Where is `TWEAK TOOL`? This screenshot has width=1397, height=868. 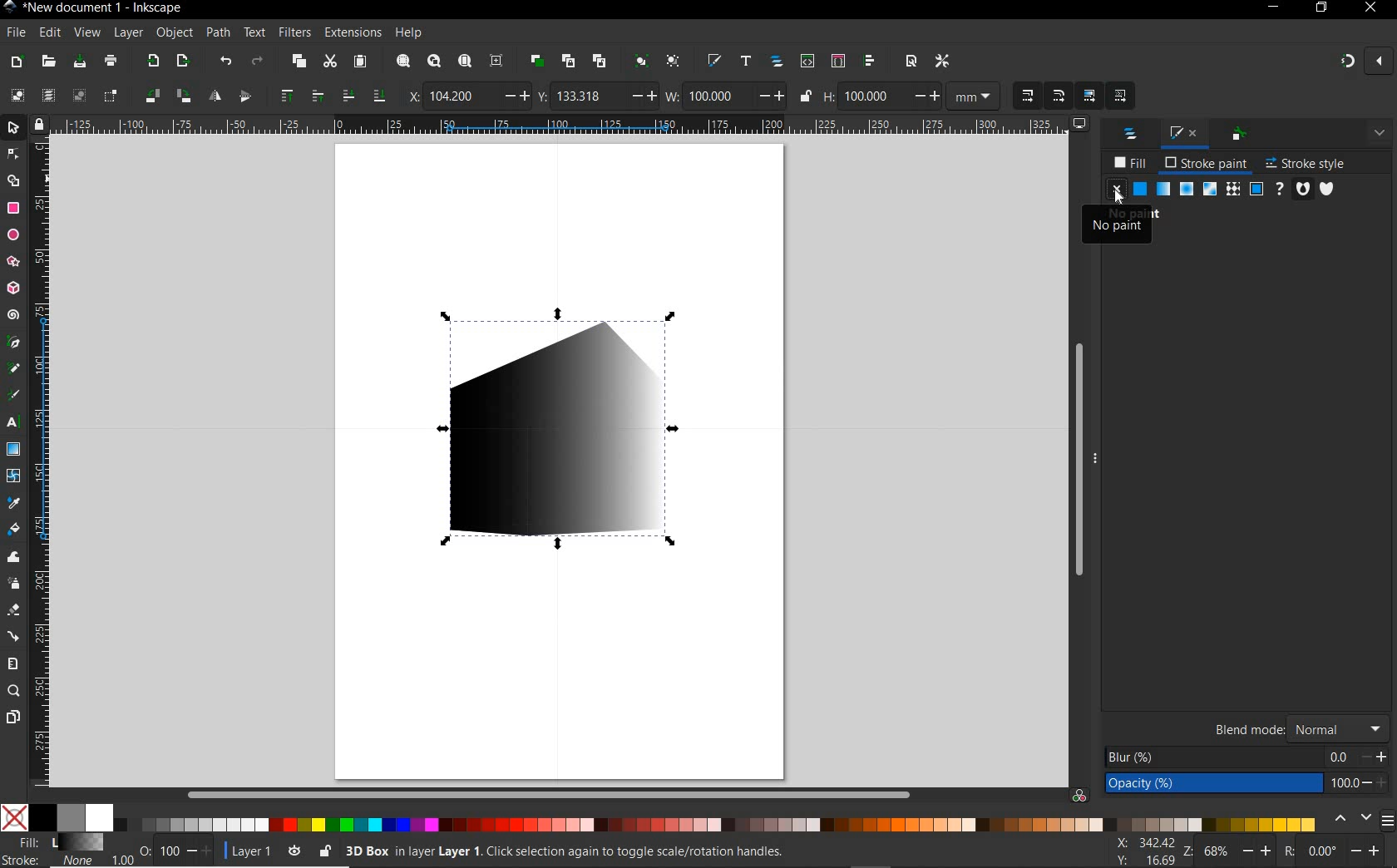
TWEAK TOOL is located at coordinates (13, 557).